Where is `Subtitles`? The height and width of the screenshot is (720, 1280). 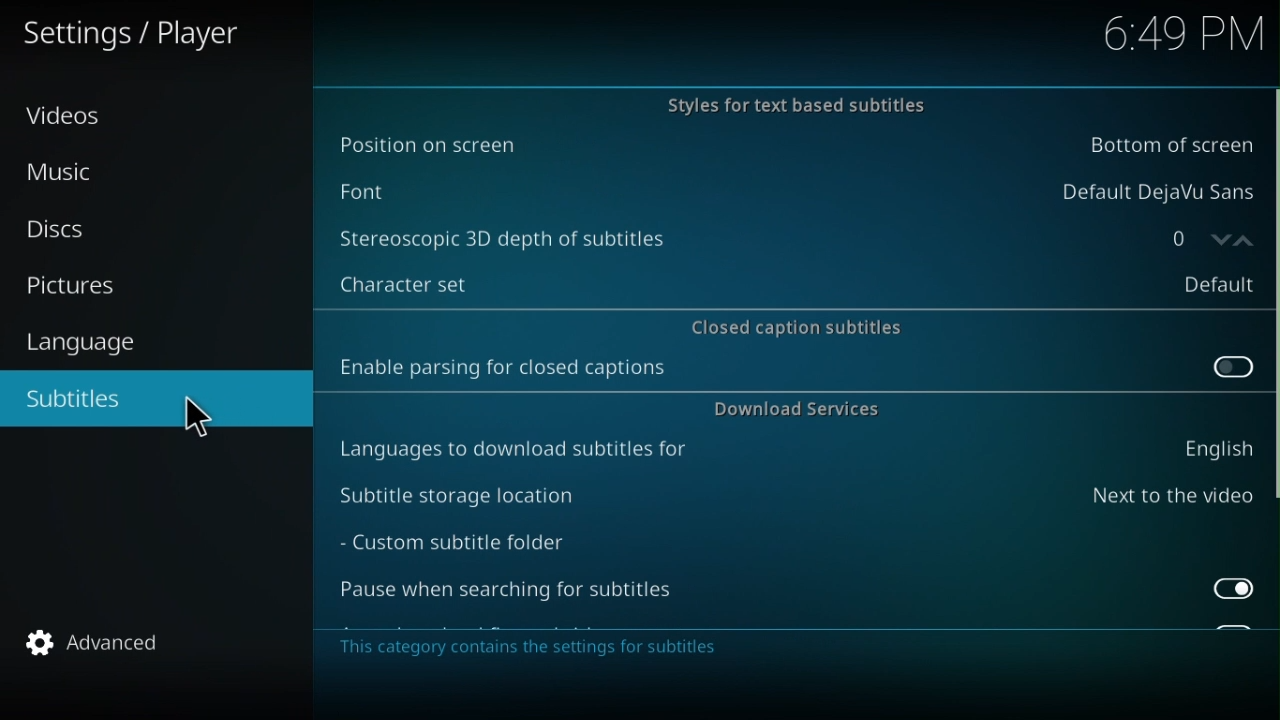
Subtitles is located at coordinates (87, 398).